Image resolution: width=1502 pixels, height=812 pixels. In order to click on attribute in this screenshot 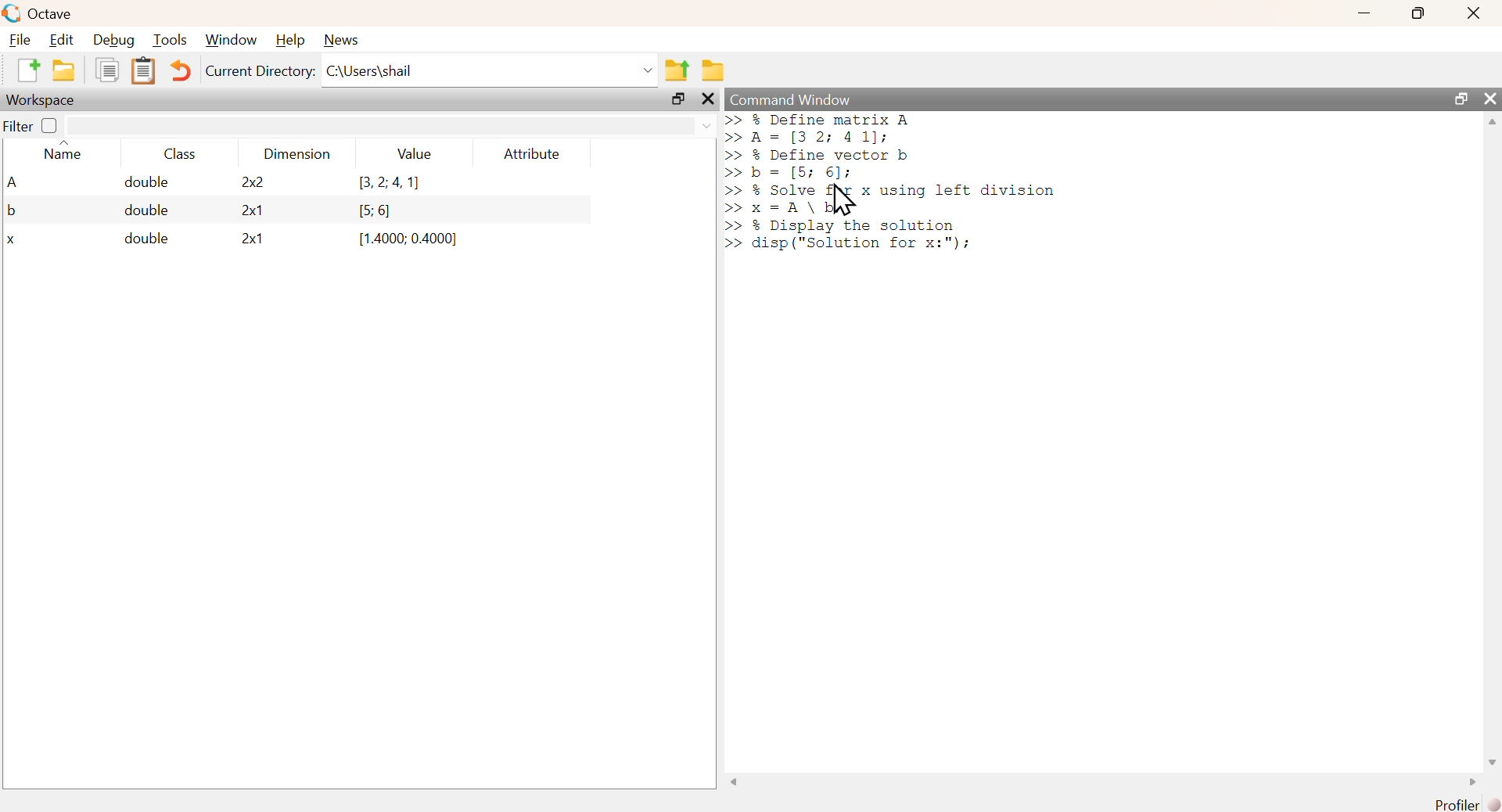, I will do `click(530, 154)`.